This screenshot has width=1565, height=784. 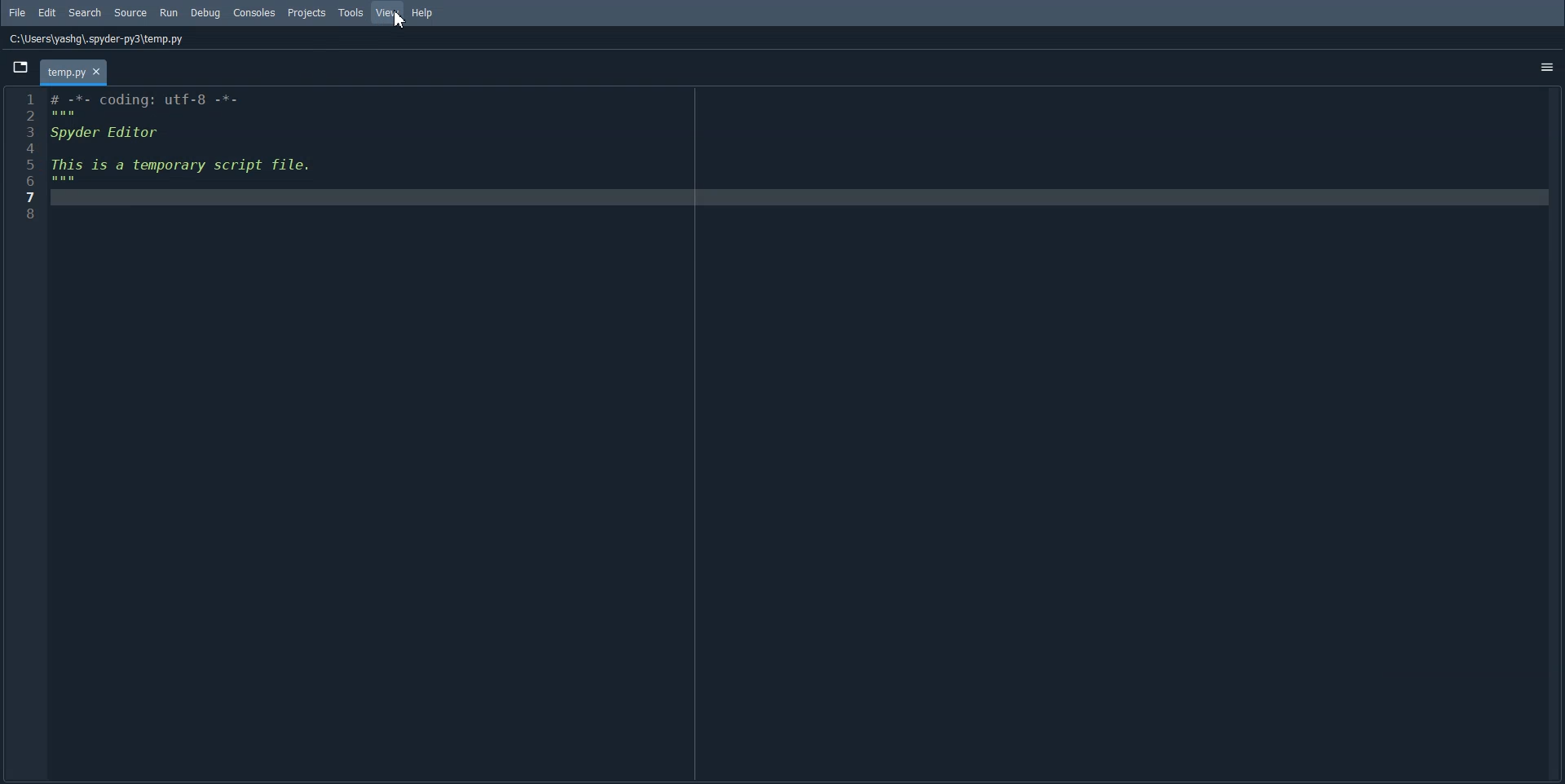 I want to click on File, so click(x=18, y=12).